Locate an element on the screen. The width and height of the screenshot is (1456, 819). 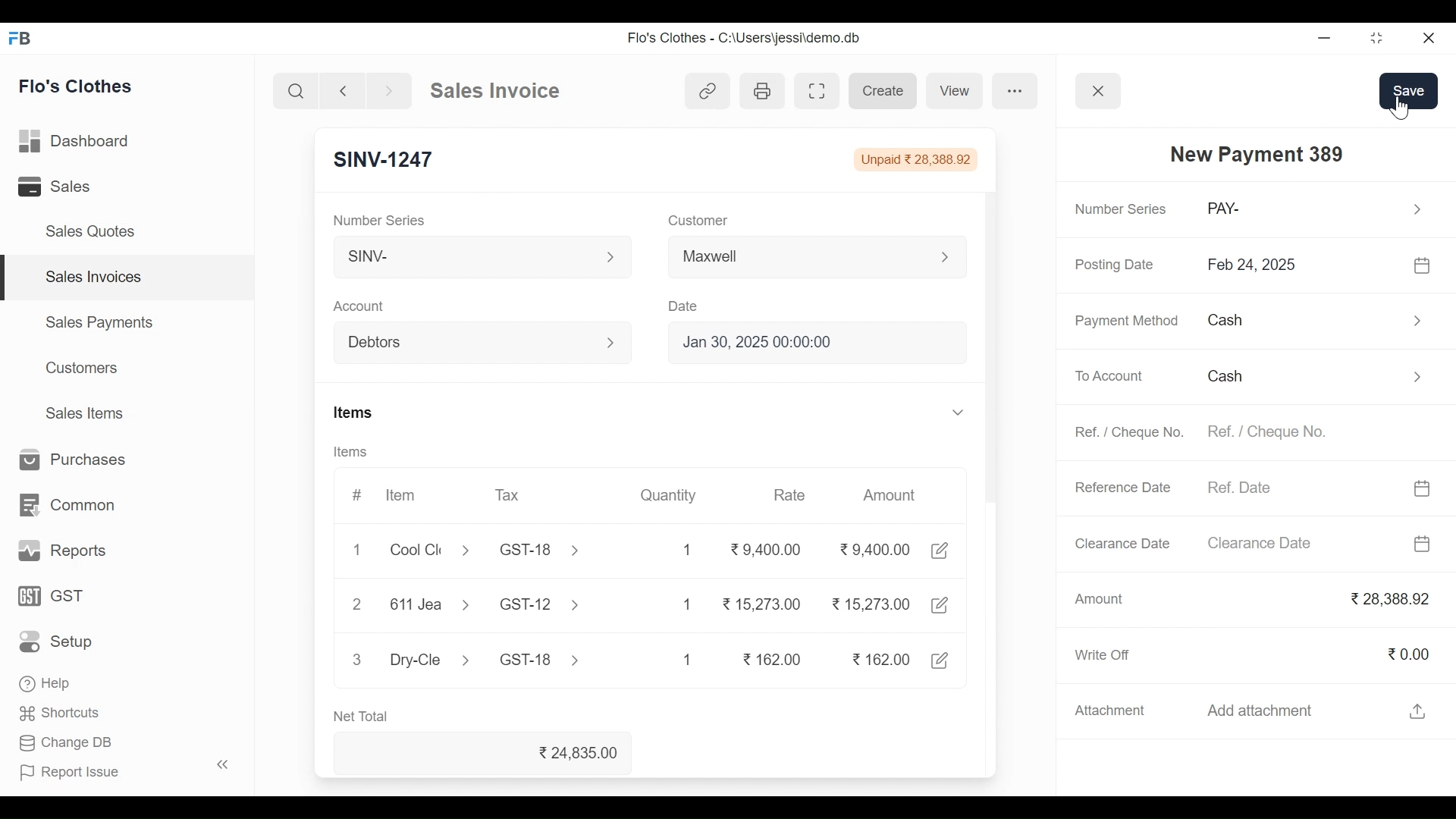
Unpaid 28,388.92 is located at coordinates (917, 160).